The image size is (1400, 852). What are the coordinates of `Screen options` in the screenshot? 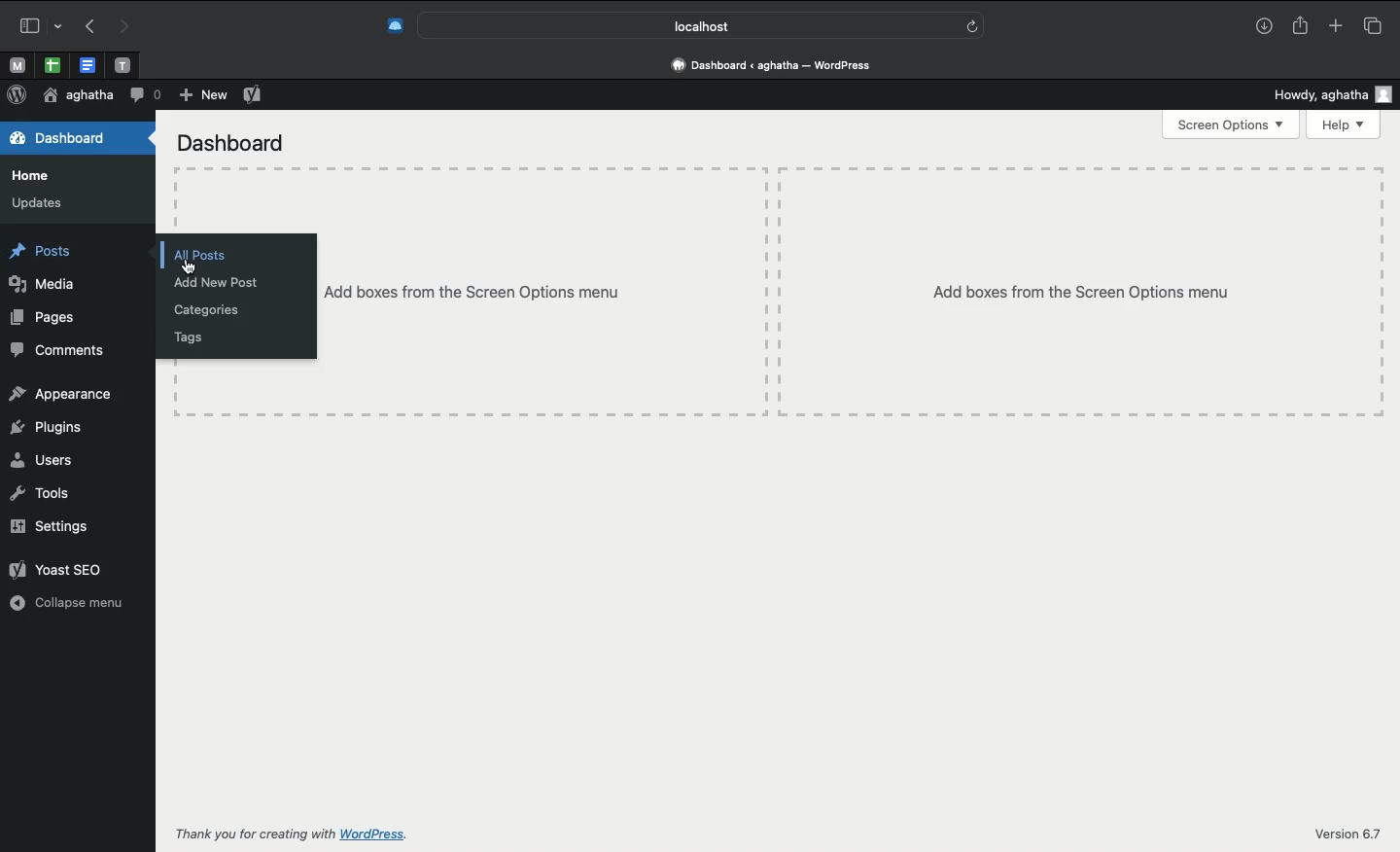 It's located at (1232, 124).